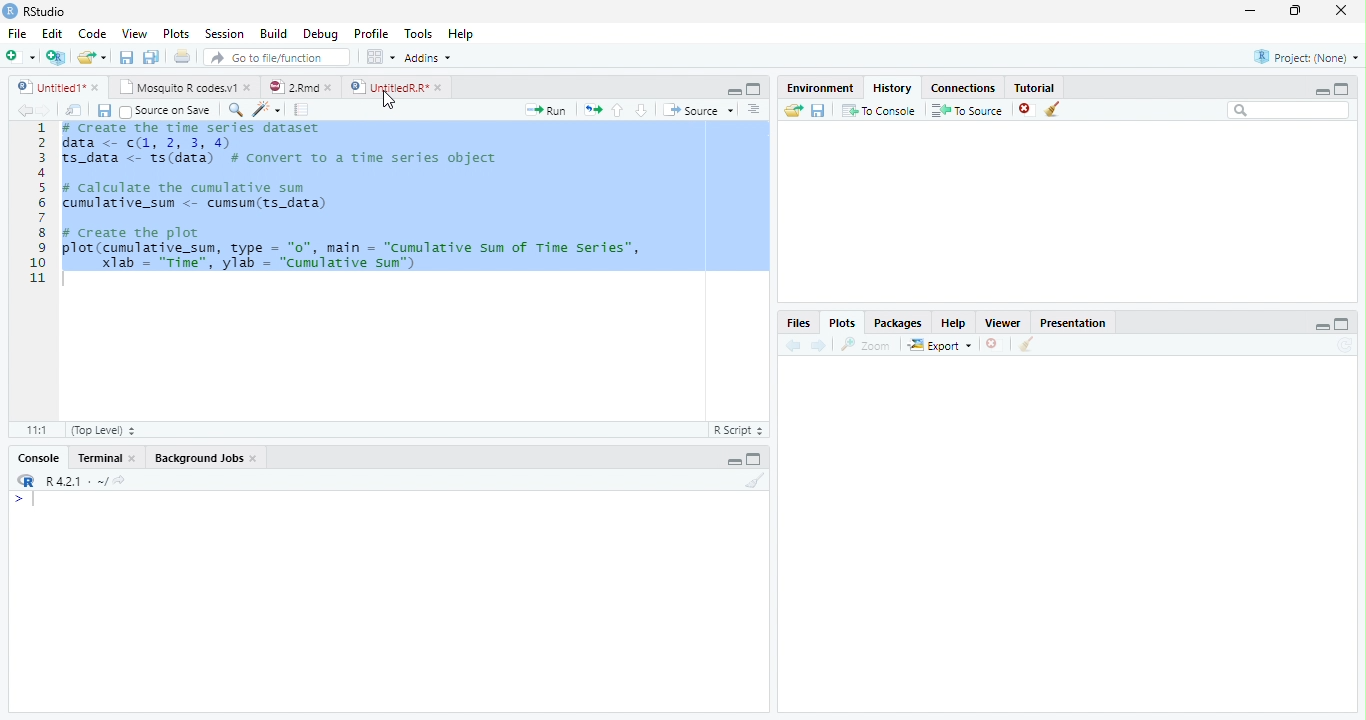  Describe the element at coordinates (269, 109) in the screenshot. I see `Code Refactor` at that location.